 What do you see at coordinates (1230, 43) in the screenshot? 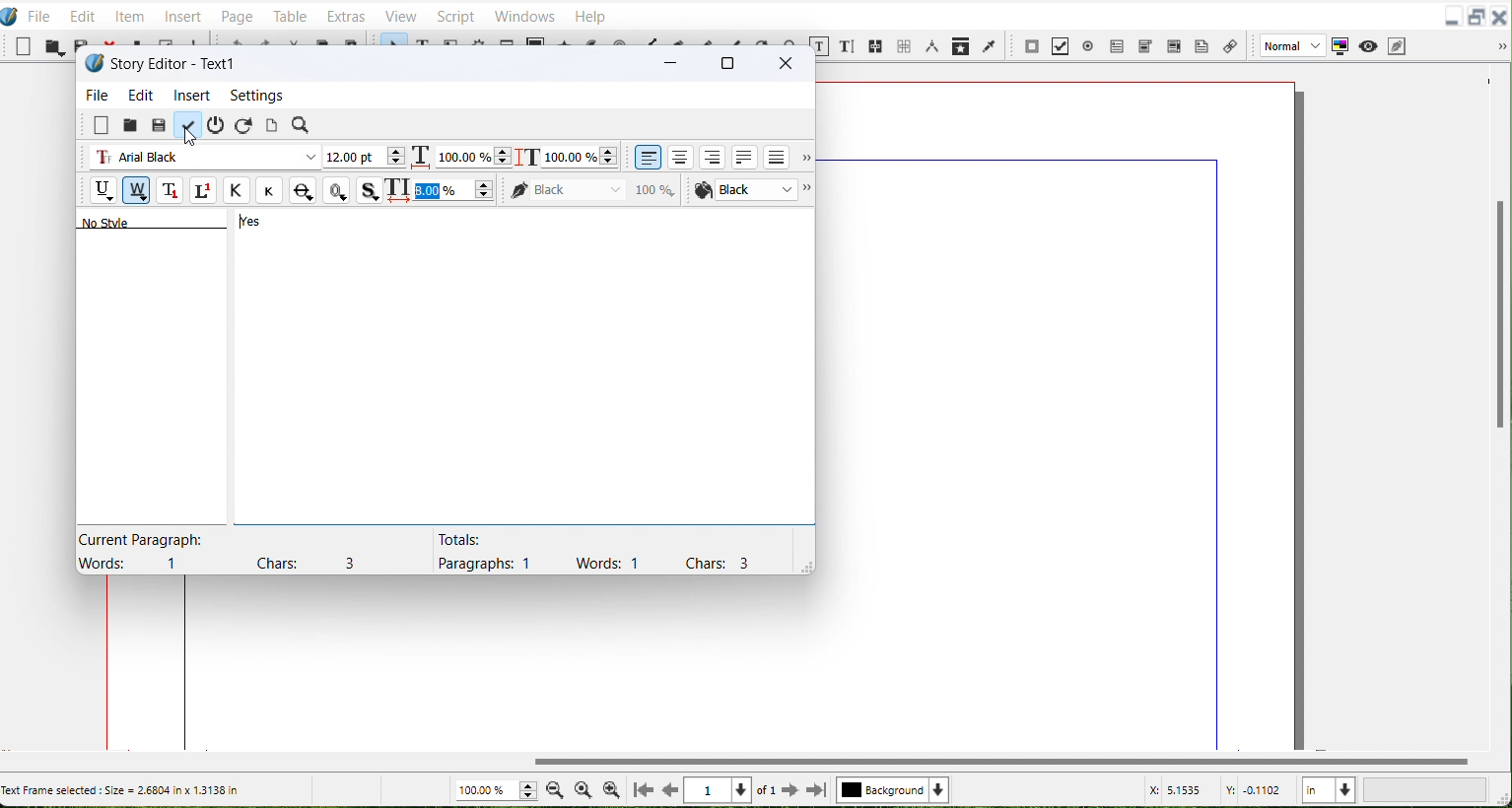
I see `Link Annotation` at bounding box center [1230, 43].